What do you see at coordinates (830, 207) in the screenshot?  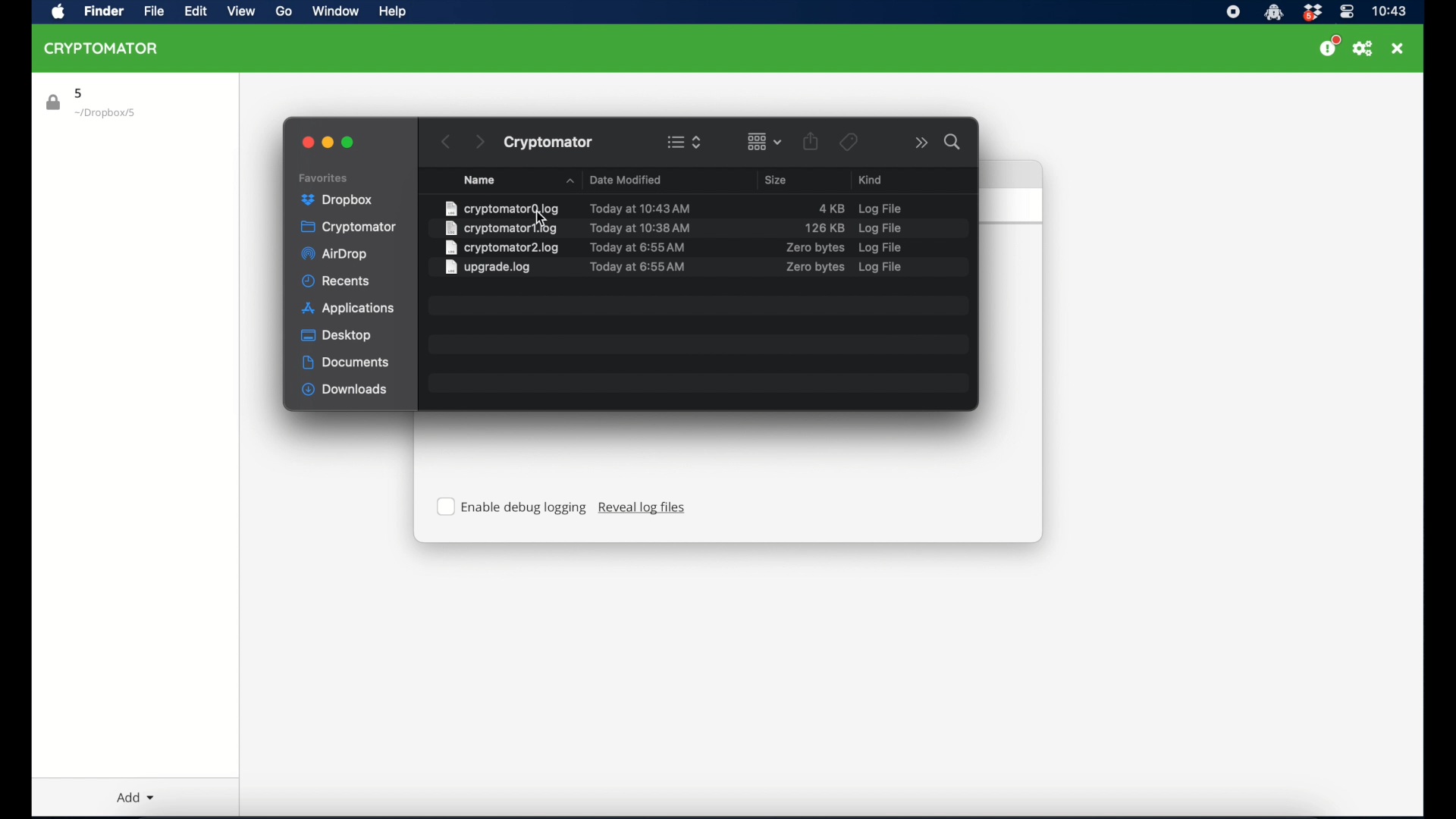 I see `size` at bounding box center [830, 207].